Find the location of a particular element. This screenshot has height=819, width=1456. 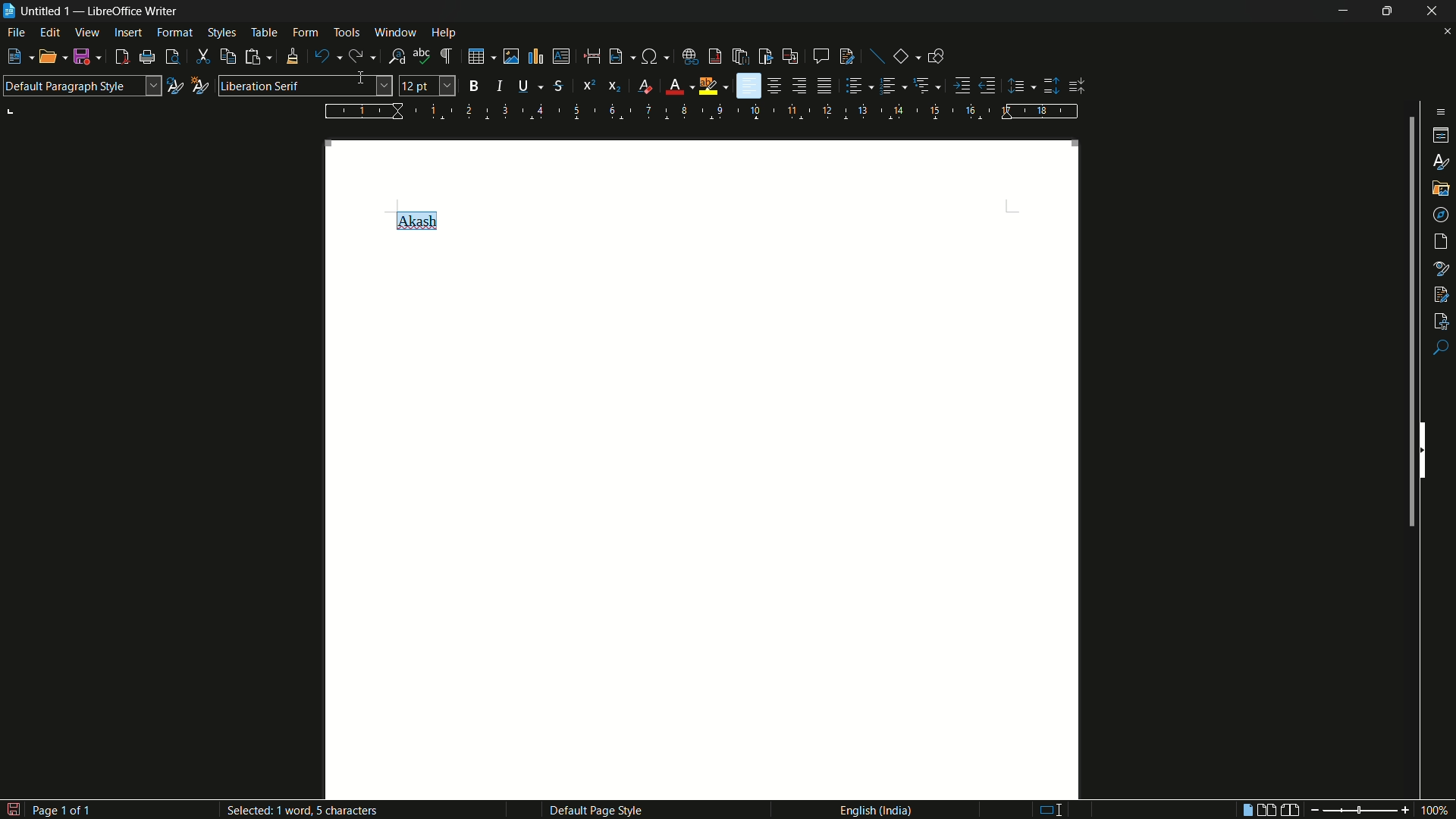

insert chart is located at coordinates (535, 55).